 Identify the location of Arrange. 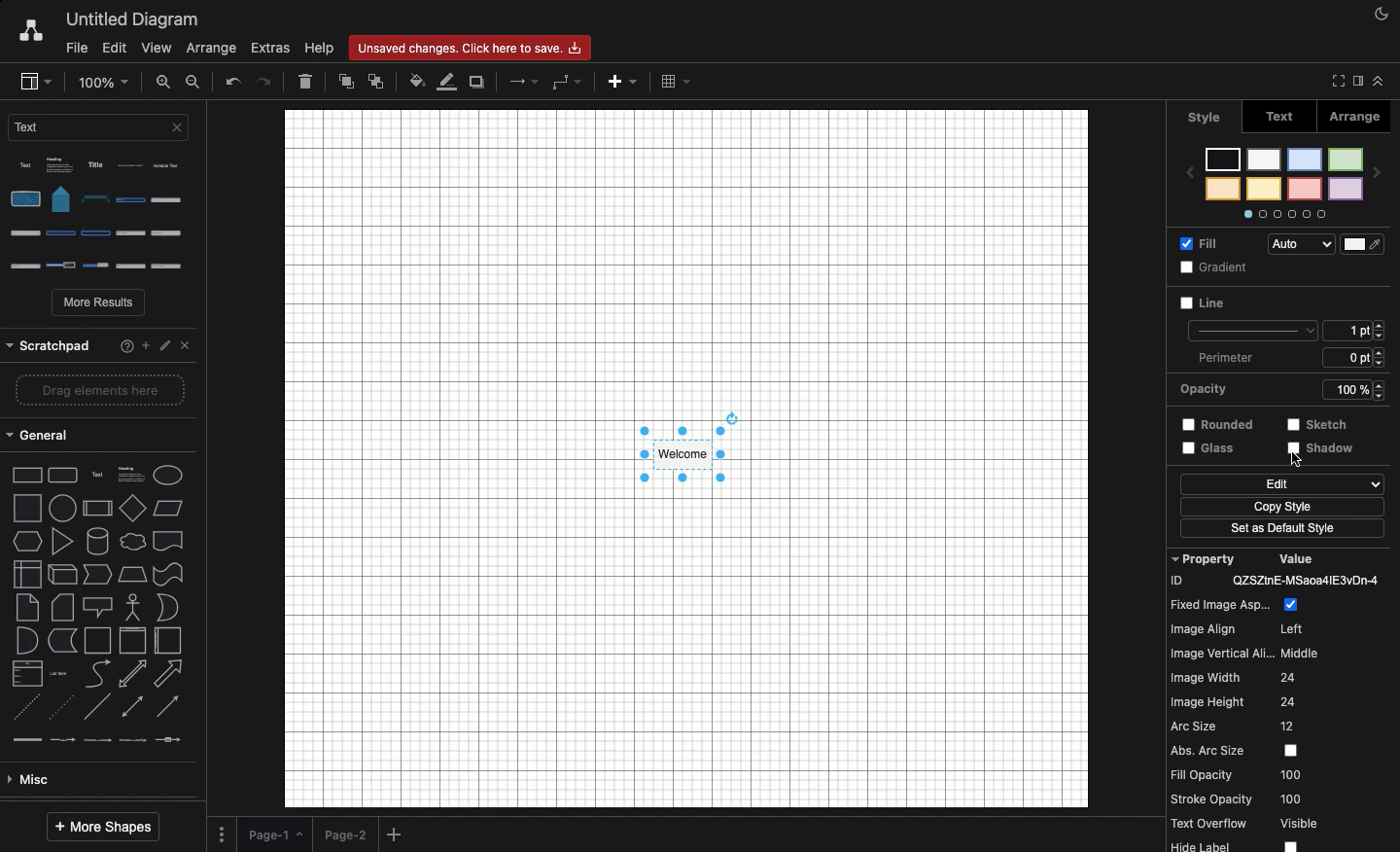
(1357, 120).